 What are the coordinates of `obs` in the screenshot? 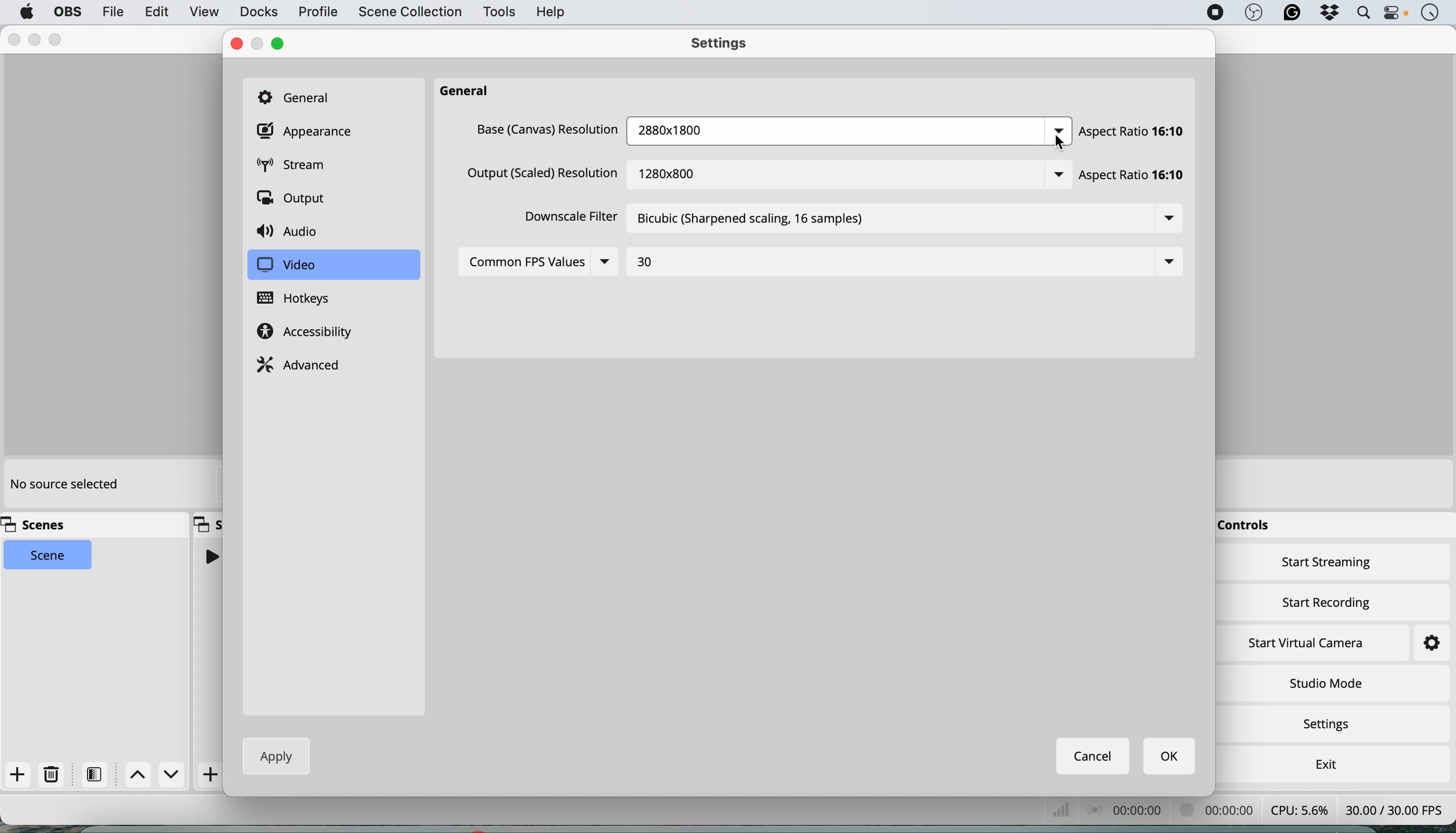 It's located at (66, 12).